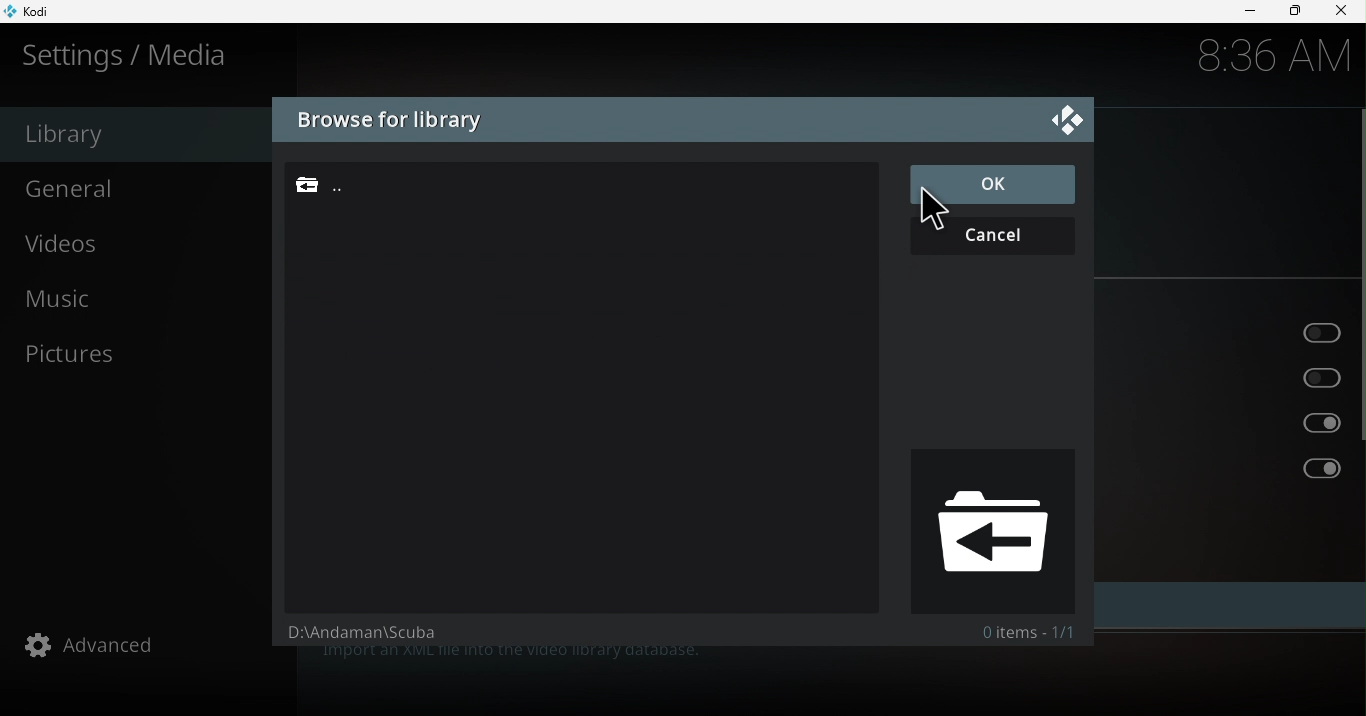  What do you see at coordinates (998, 234) in the screenshot?
I see `Cancel` at bounding box center [998, 234].